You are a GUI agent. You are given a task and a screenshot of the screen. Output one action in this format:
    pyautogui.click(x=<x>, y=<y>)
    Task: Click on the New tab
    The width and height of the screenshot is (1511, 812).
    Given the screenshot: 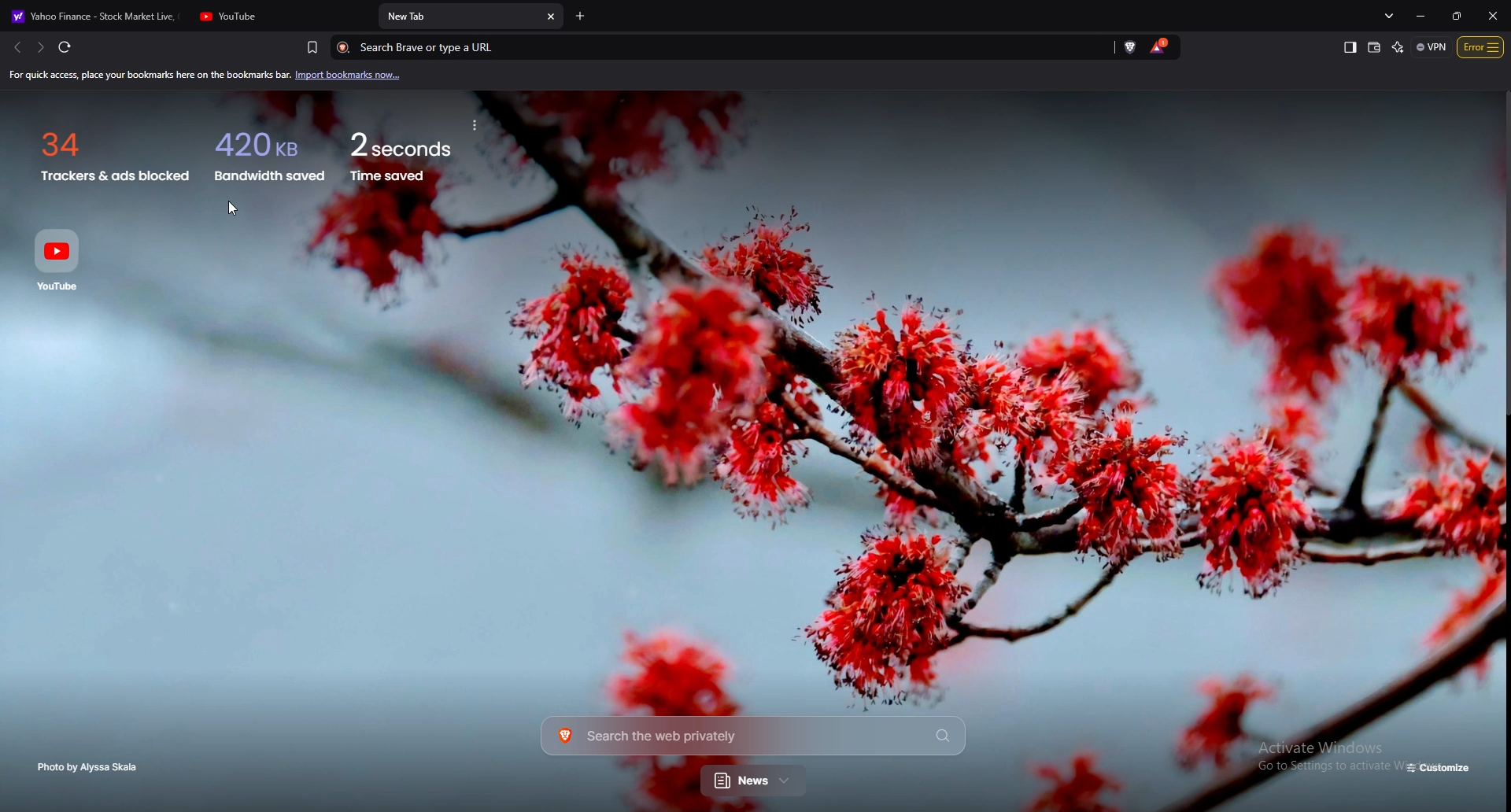 What is the action you would take?
    pyautogui.click(x=460, y=17)
    